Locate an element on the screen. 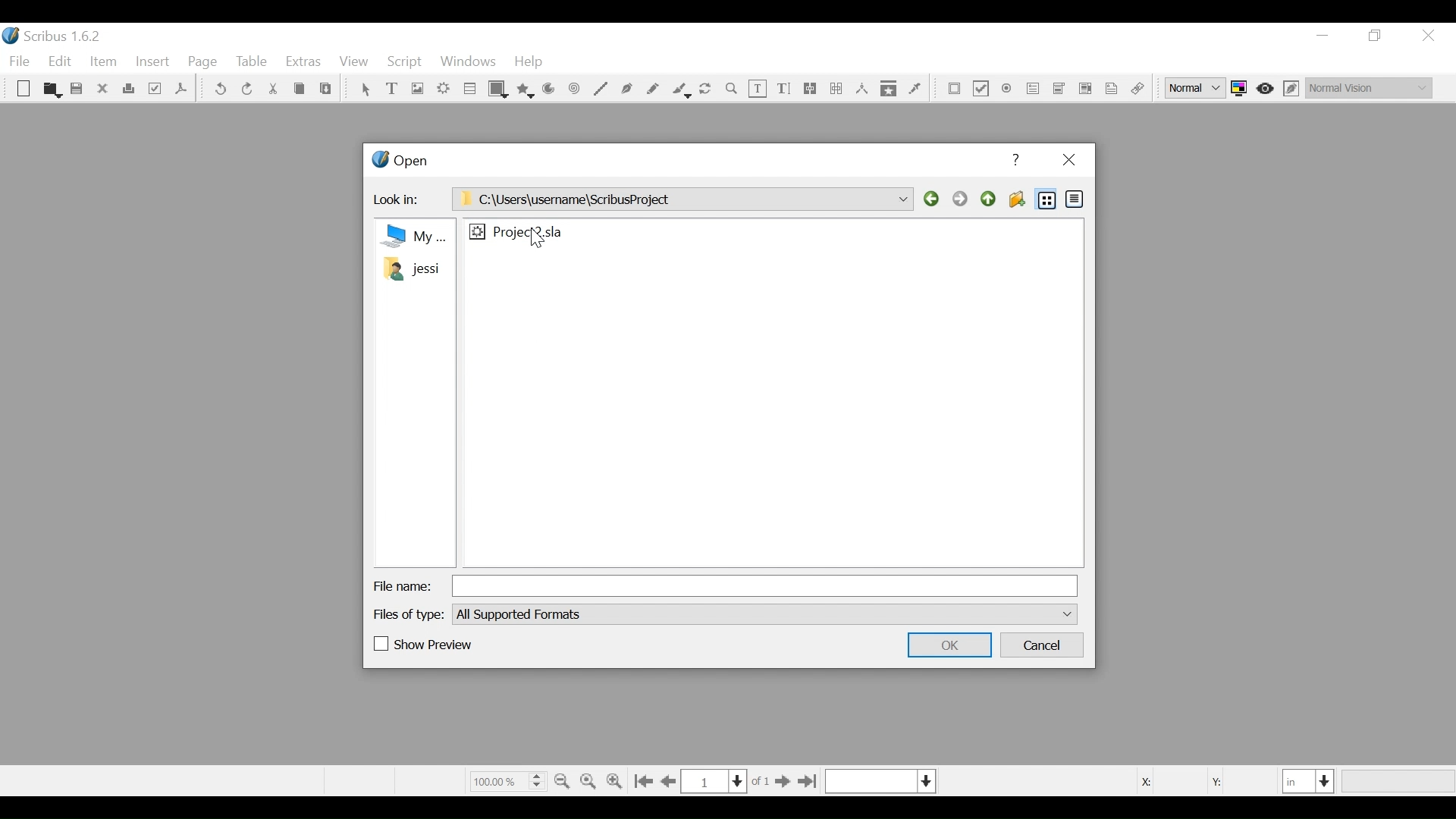 The image size is (1456, 819). Extras is located at coordinates (303, 63).